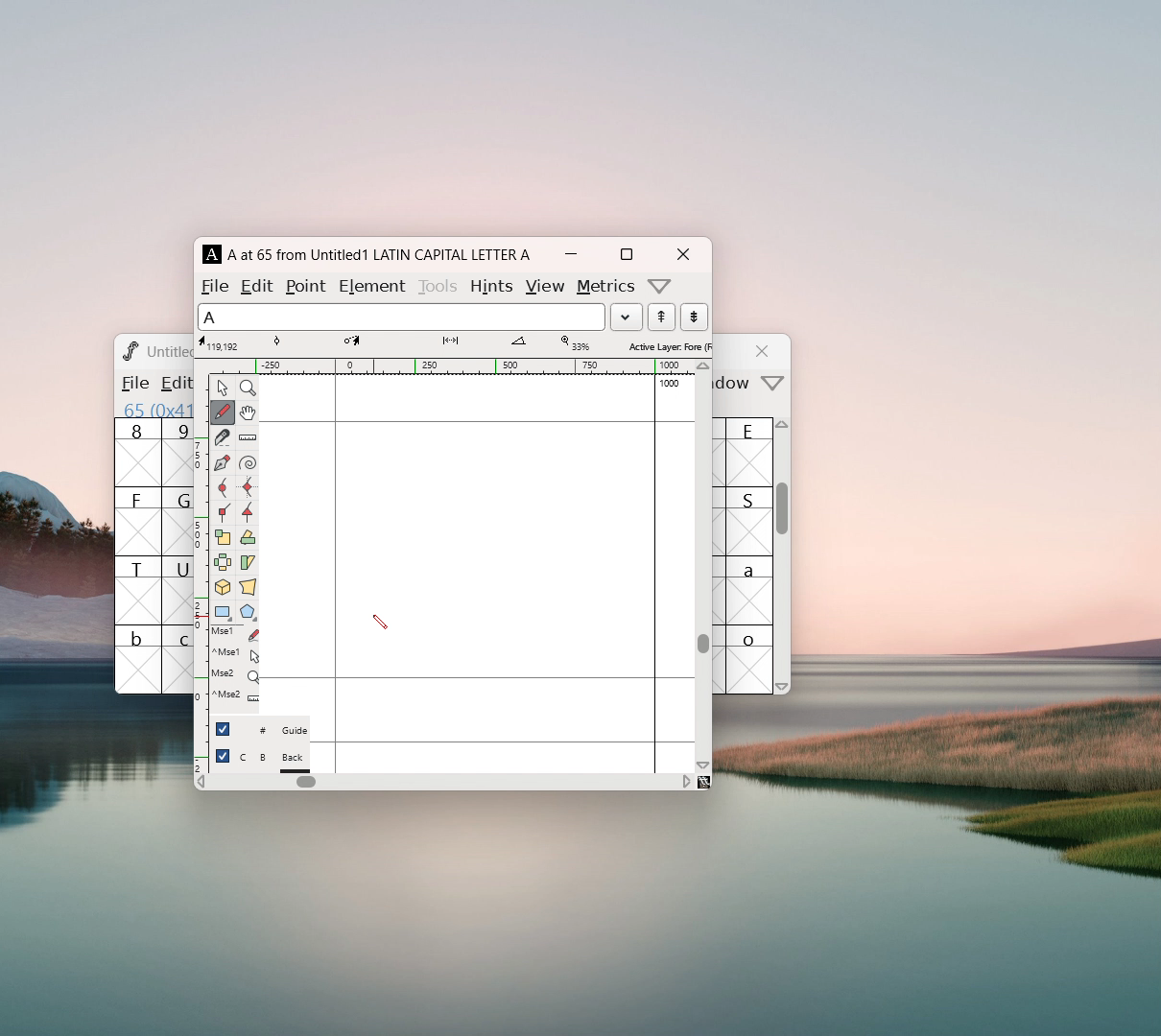 This screenshot has width=1161, height=1036. I want to click on scroll left, so click(201, 784).